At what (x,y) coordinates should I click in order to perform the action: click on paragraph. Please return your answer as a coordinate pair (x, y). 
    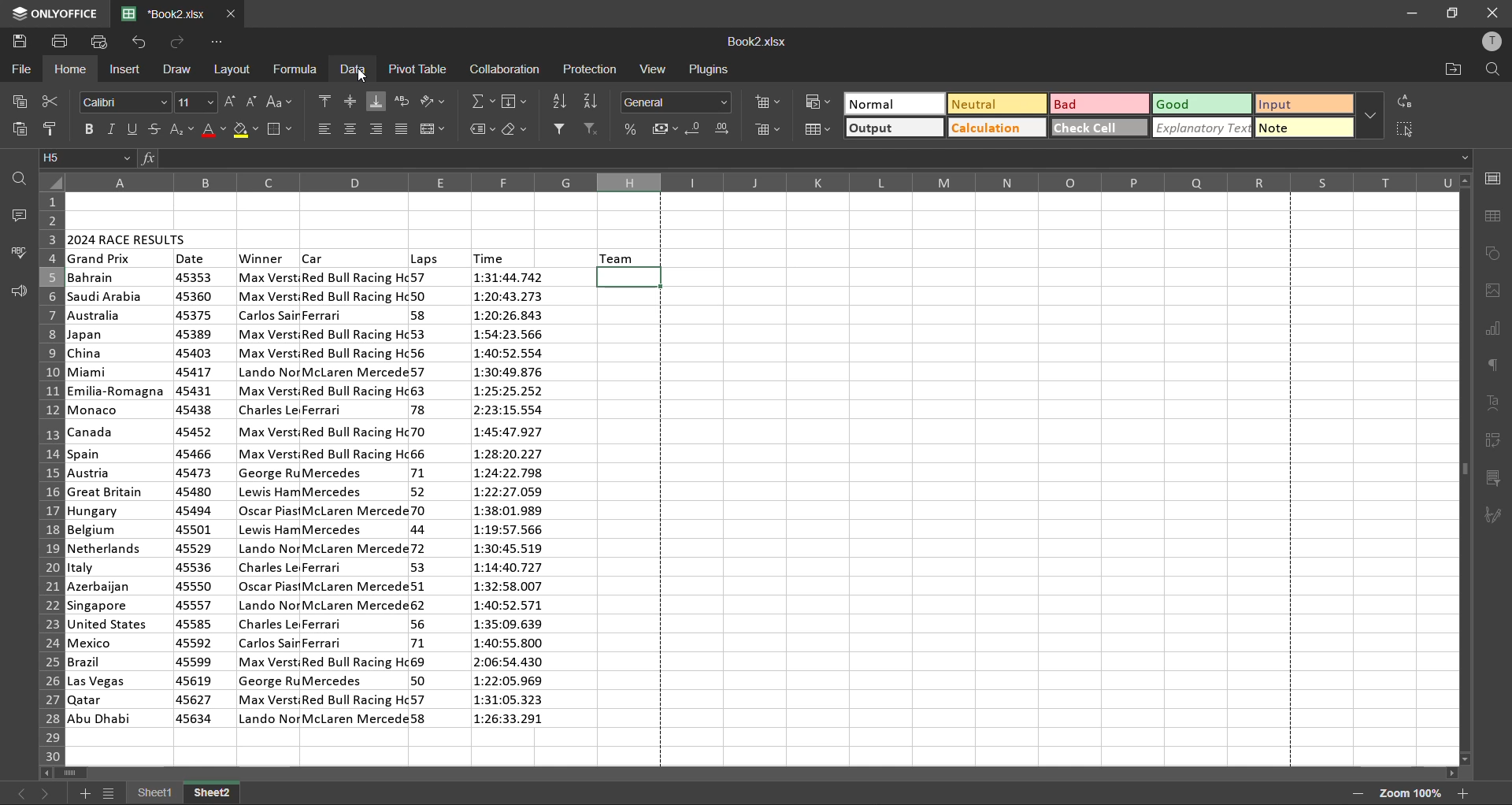
    Looking at the image, I should click on (1497, 364).